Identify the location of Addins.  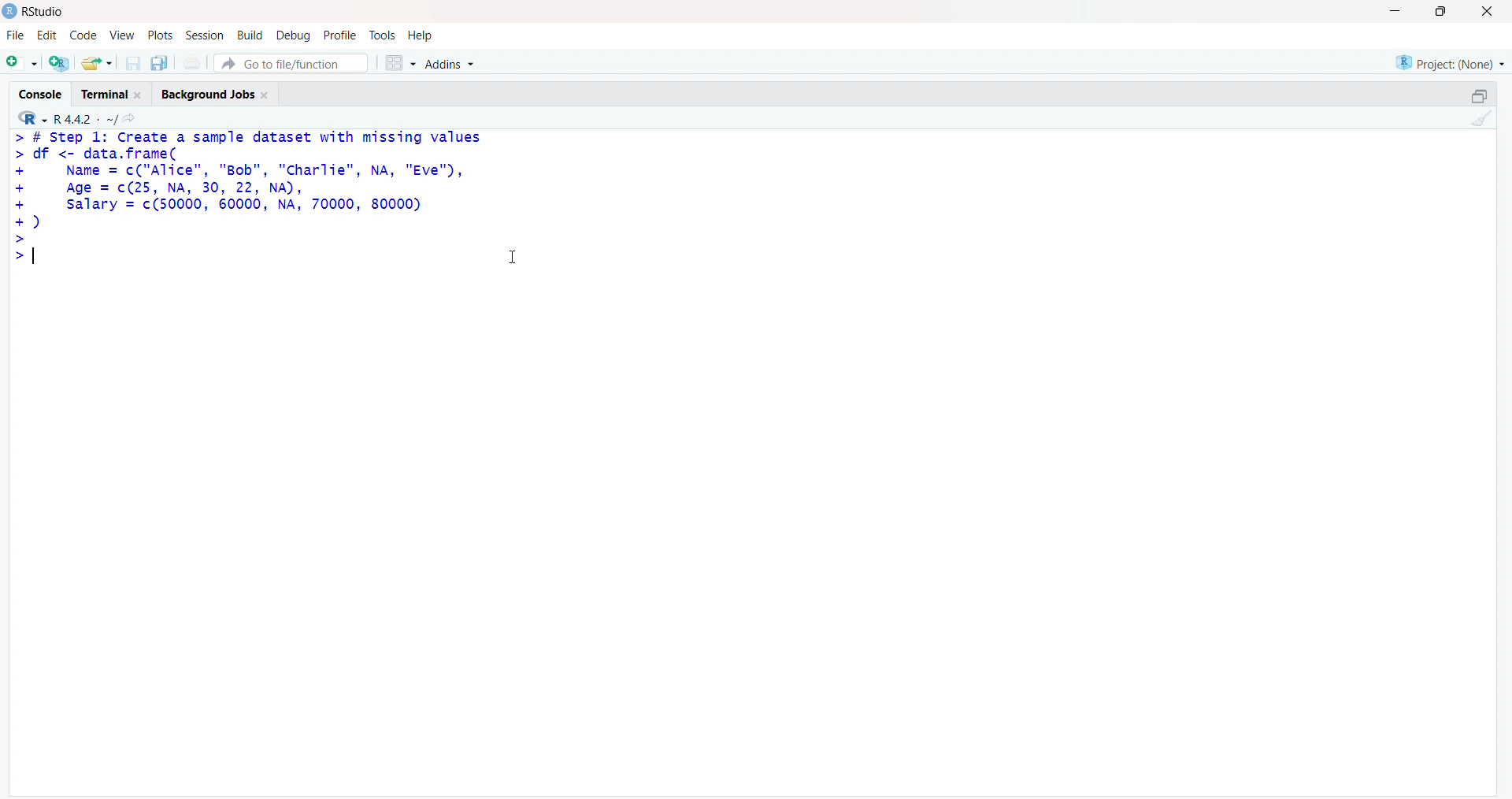
(458, 61).